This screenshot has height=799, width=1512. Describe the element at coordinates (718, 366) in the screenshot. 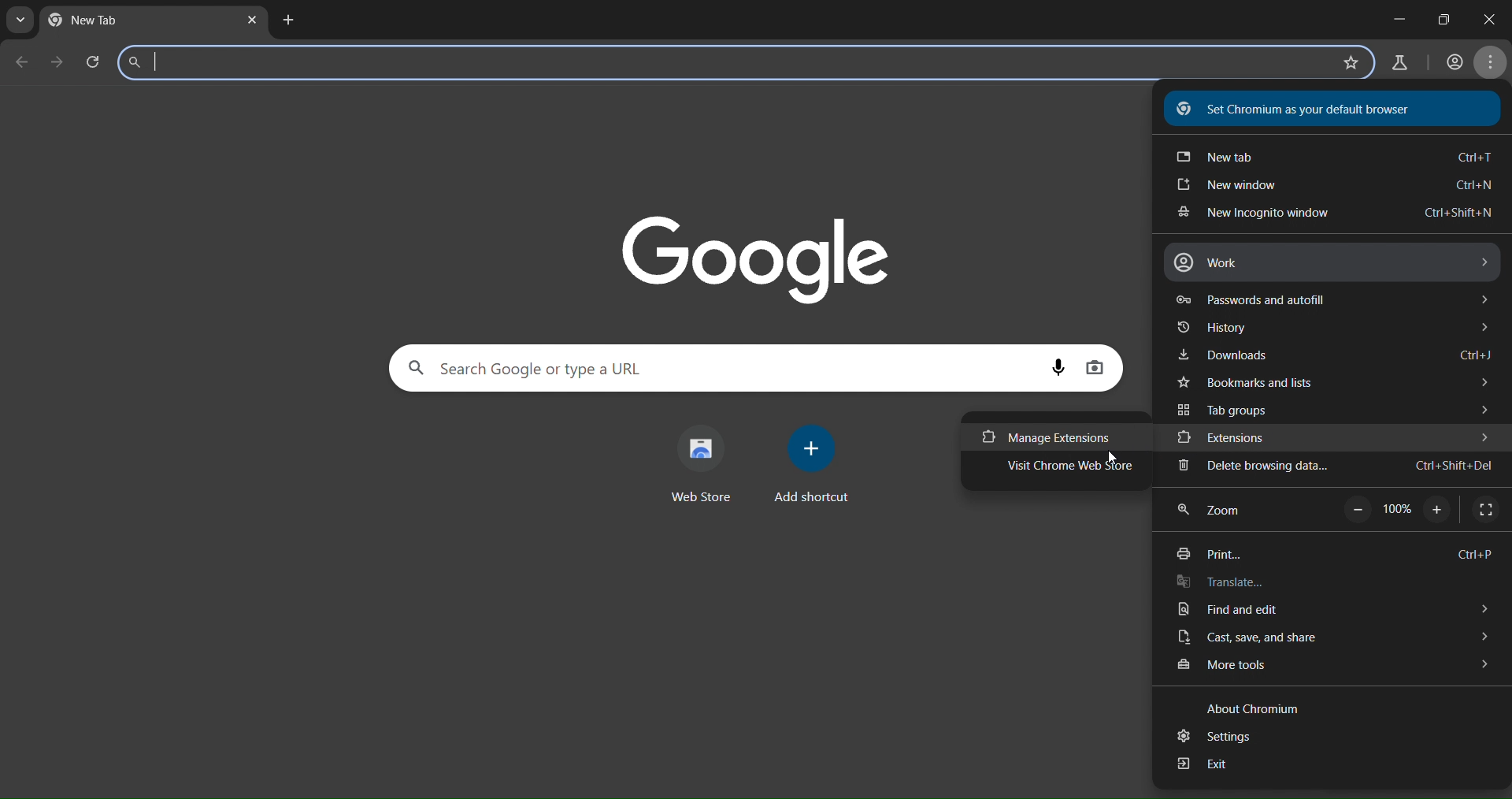

I see `search panel` at that location.